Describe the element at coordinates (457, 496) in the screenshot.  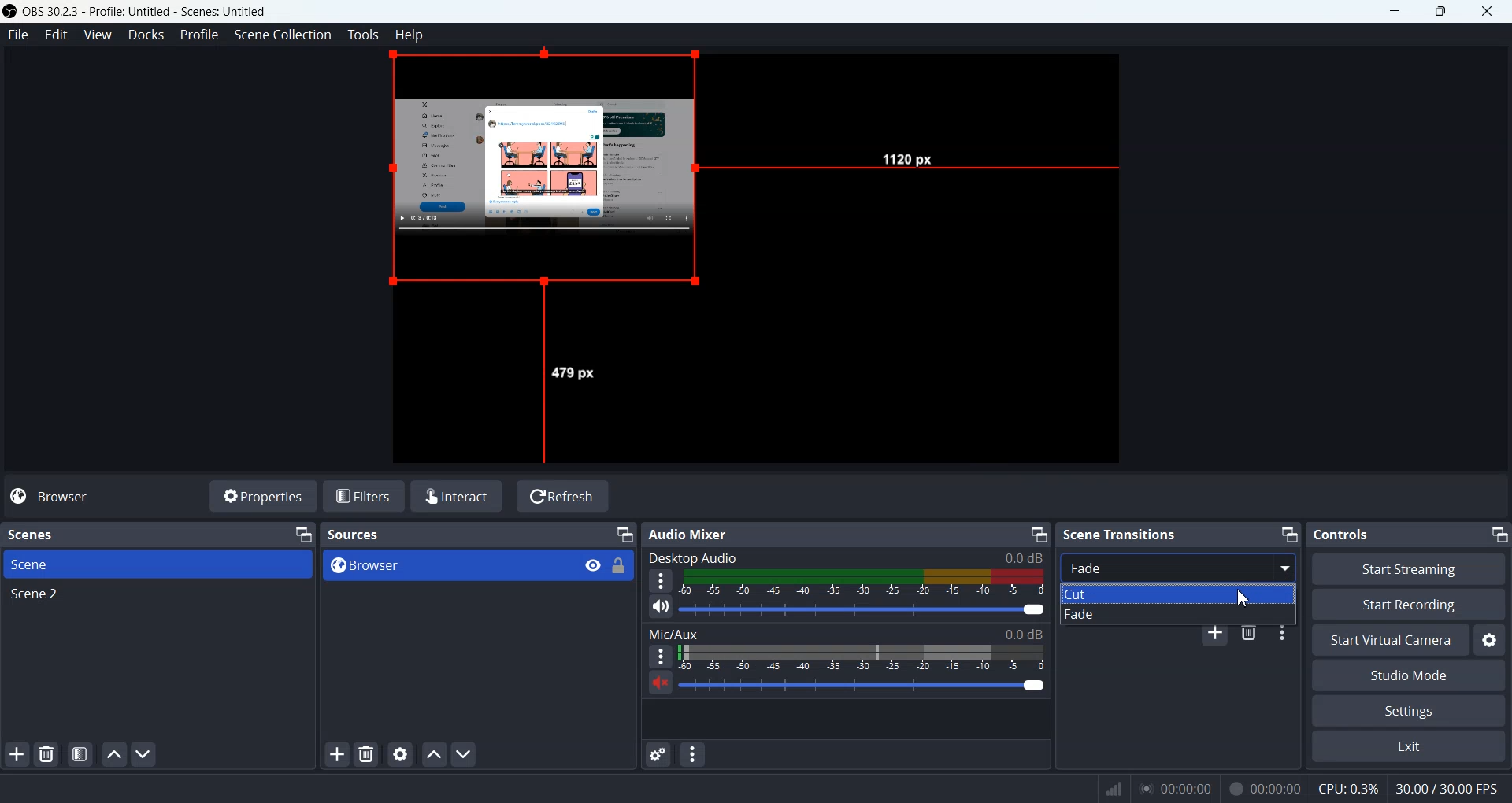
I see `Interact` at that location.